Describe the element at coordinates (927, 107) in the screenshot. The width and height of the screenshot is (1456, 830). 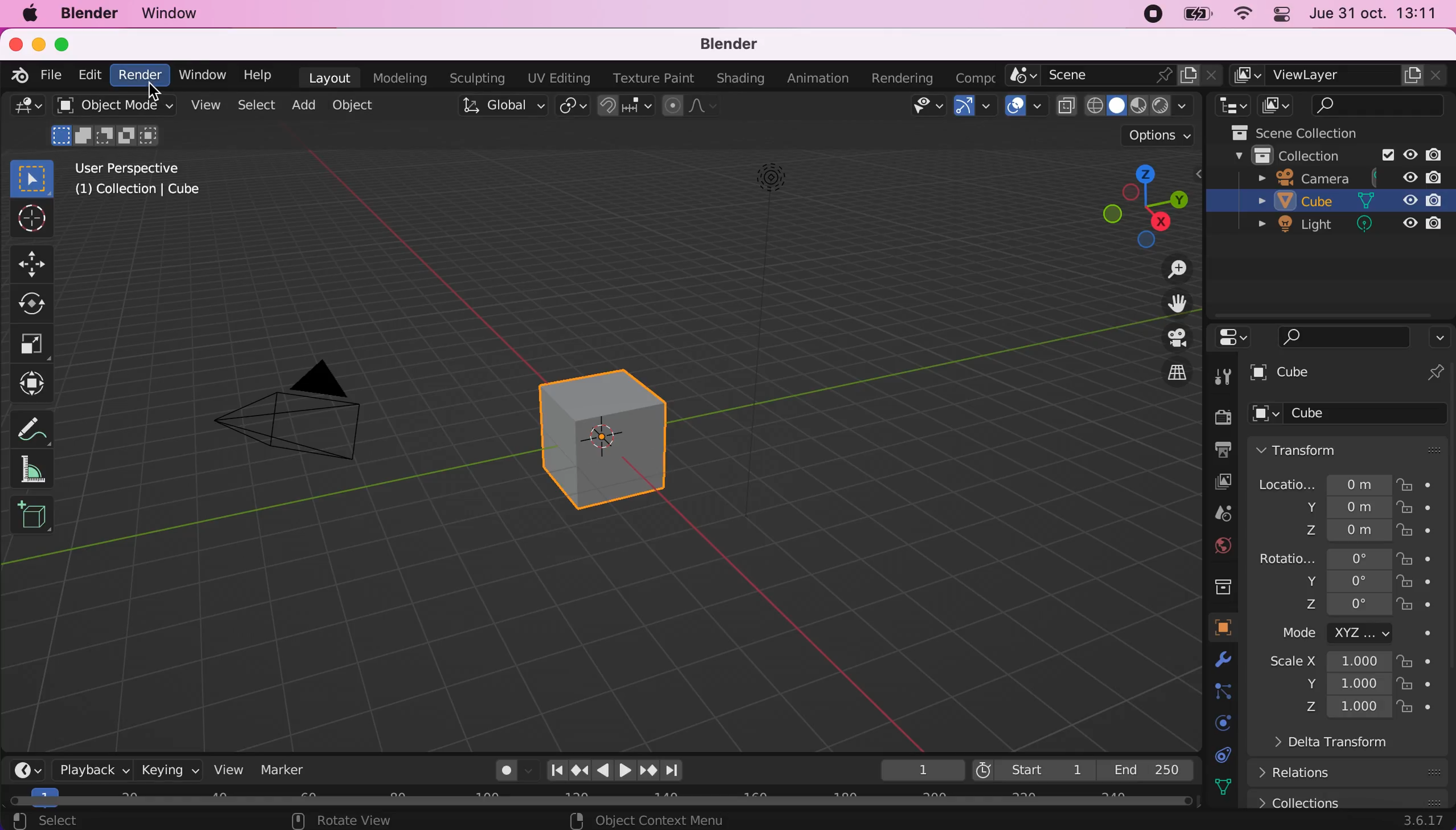
I see `selectability & visibility` at that location.